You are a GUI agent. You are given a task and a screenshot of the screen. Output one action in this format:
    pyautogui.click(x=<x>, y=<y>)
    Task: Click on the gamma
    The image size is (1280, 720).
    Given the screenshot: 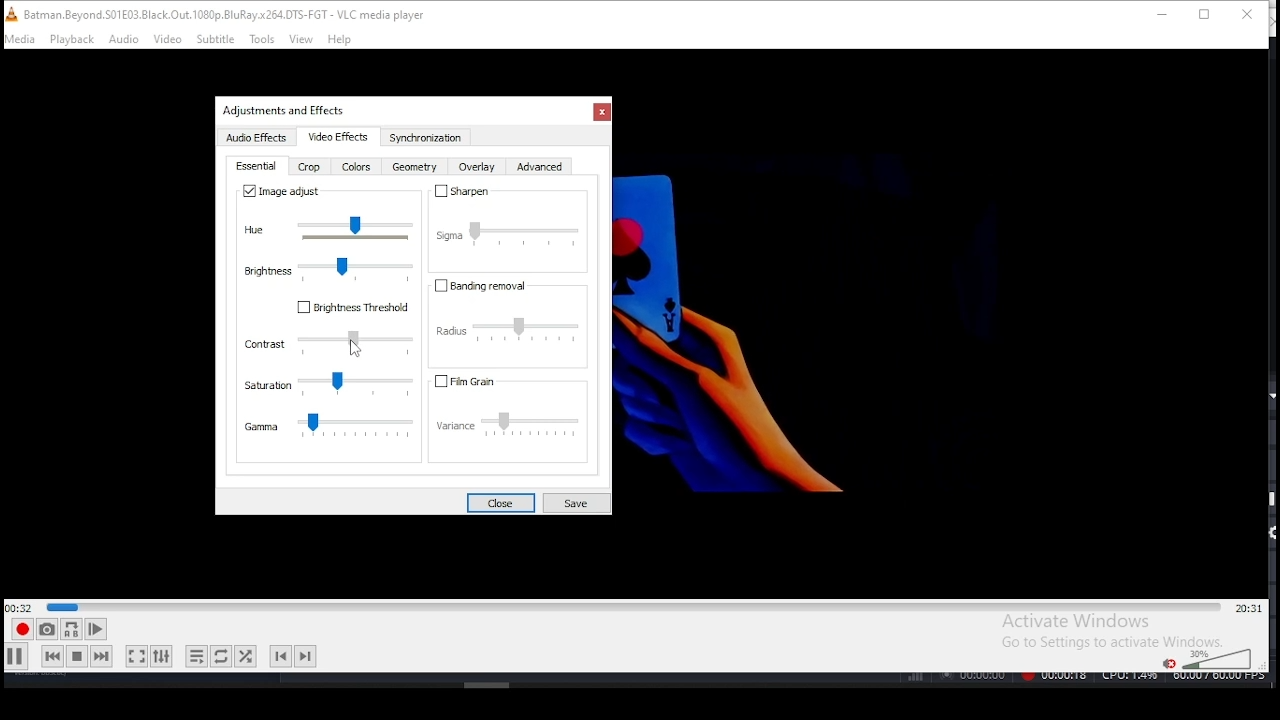 What is the action you would take?
    pyautogui.click(x=330, y=428)
    